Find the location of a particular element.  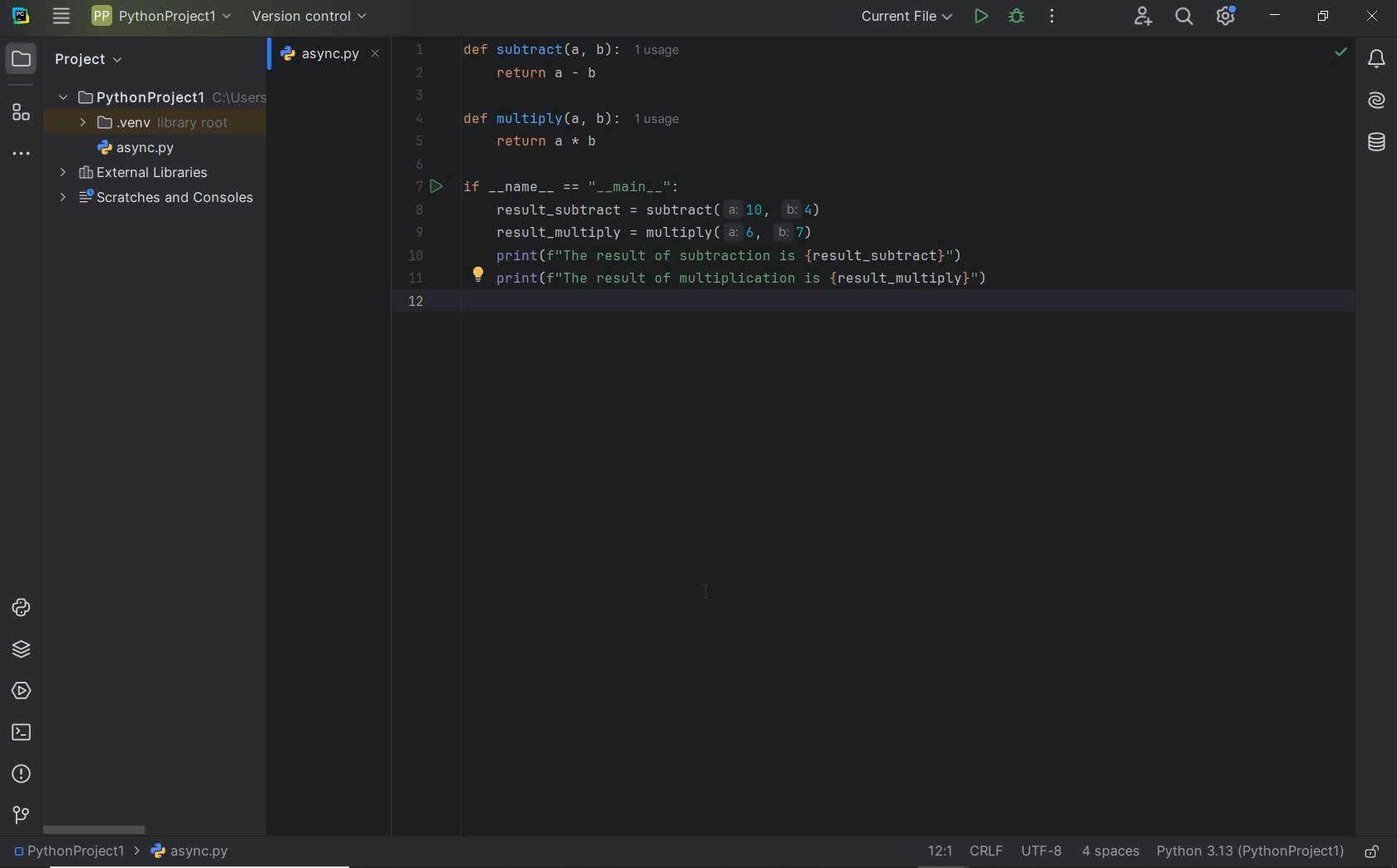

.venv is located at coordinates (160, 123).